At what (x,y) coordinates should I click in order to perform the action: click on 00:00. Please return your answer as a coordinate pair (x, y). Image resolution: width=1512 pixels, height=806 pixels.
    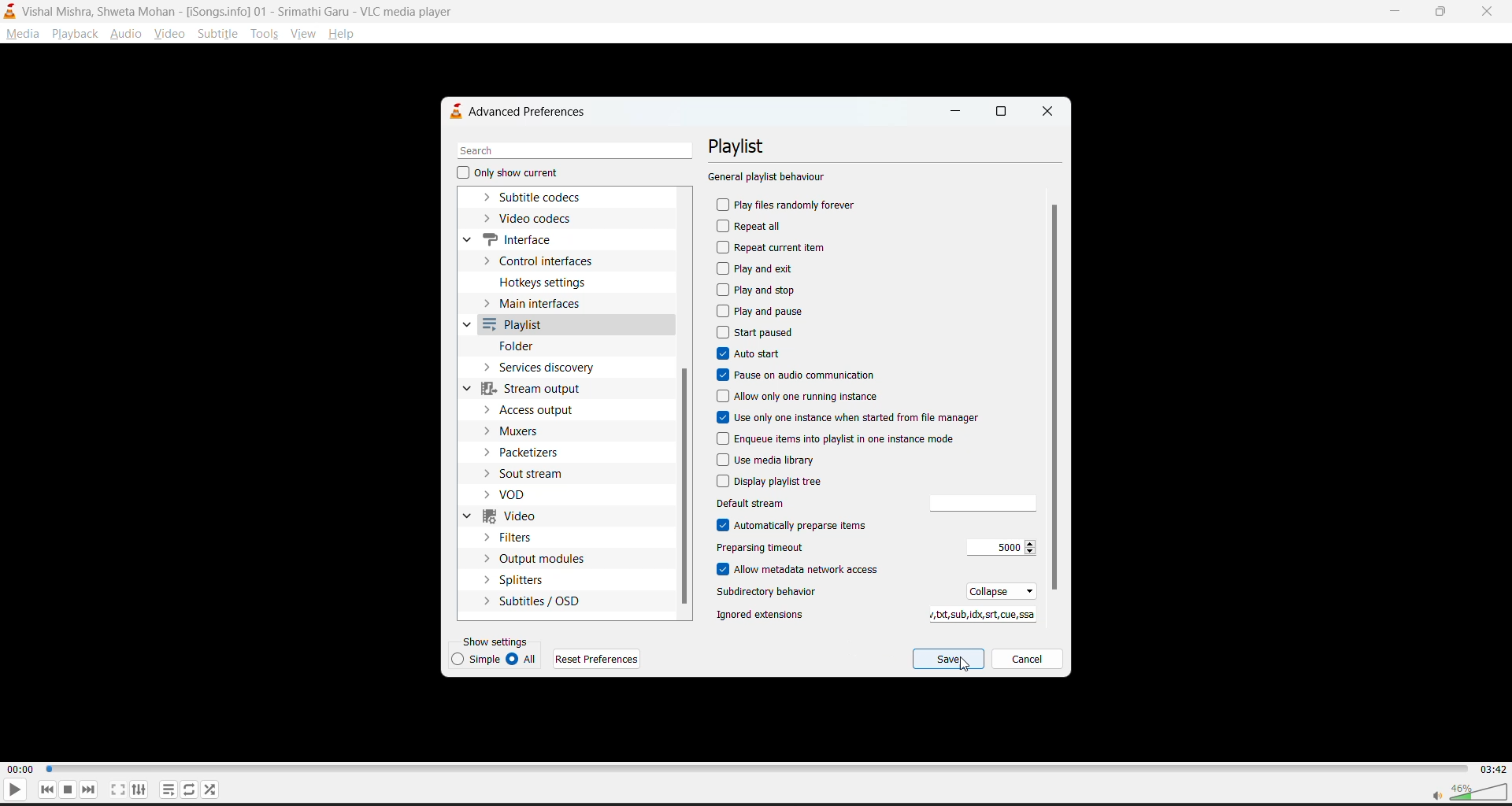
    Looking at the image, I should click on (18, 767).